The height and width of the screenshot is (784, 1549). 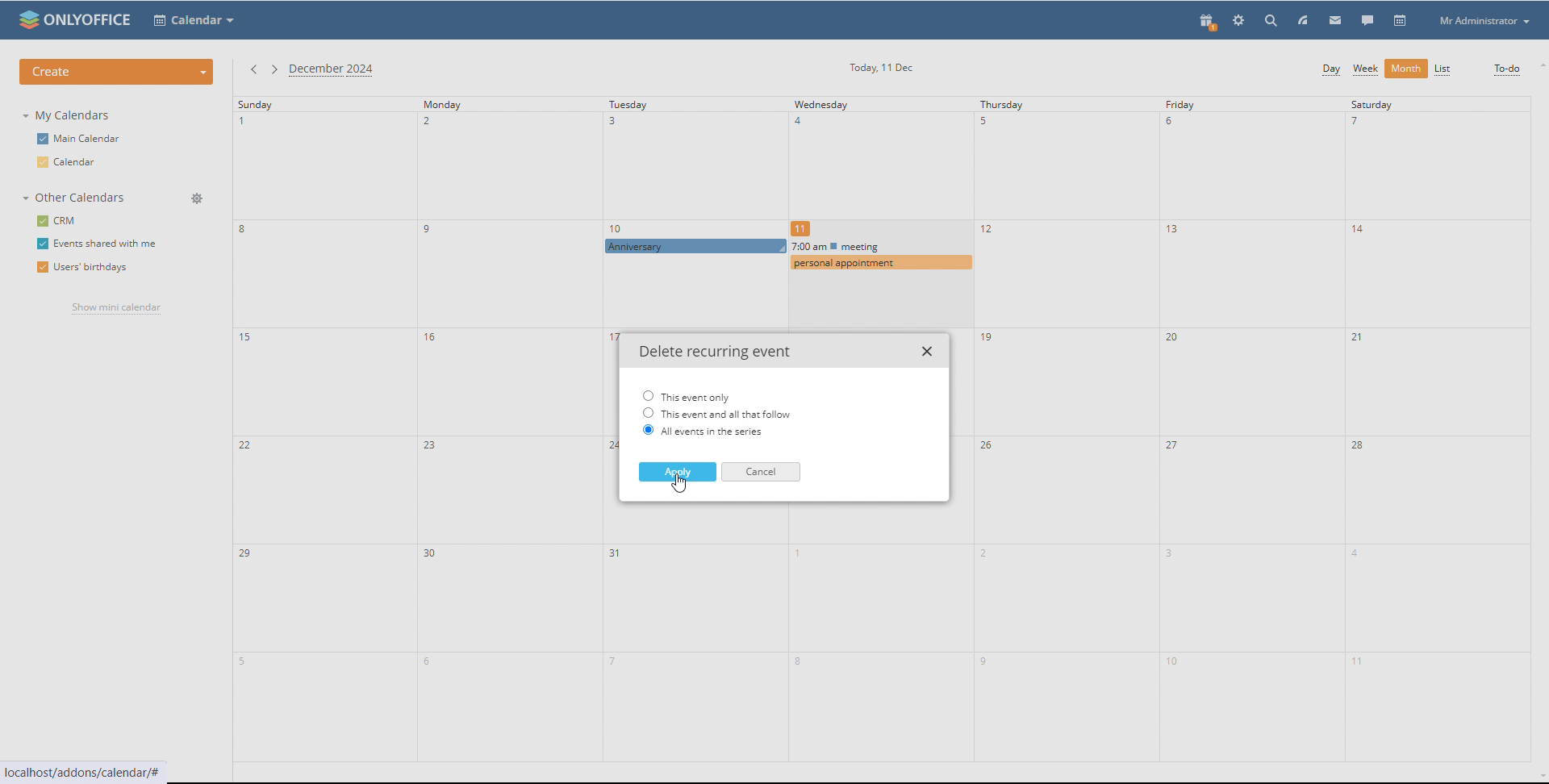 I want to click on events shared with me, so click(x=99, y=244).